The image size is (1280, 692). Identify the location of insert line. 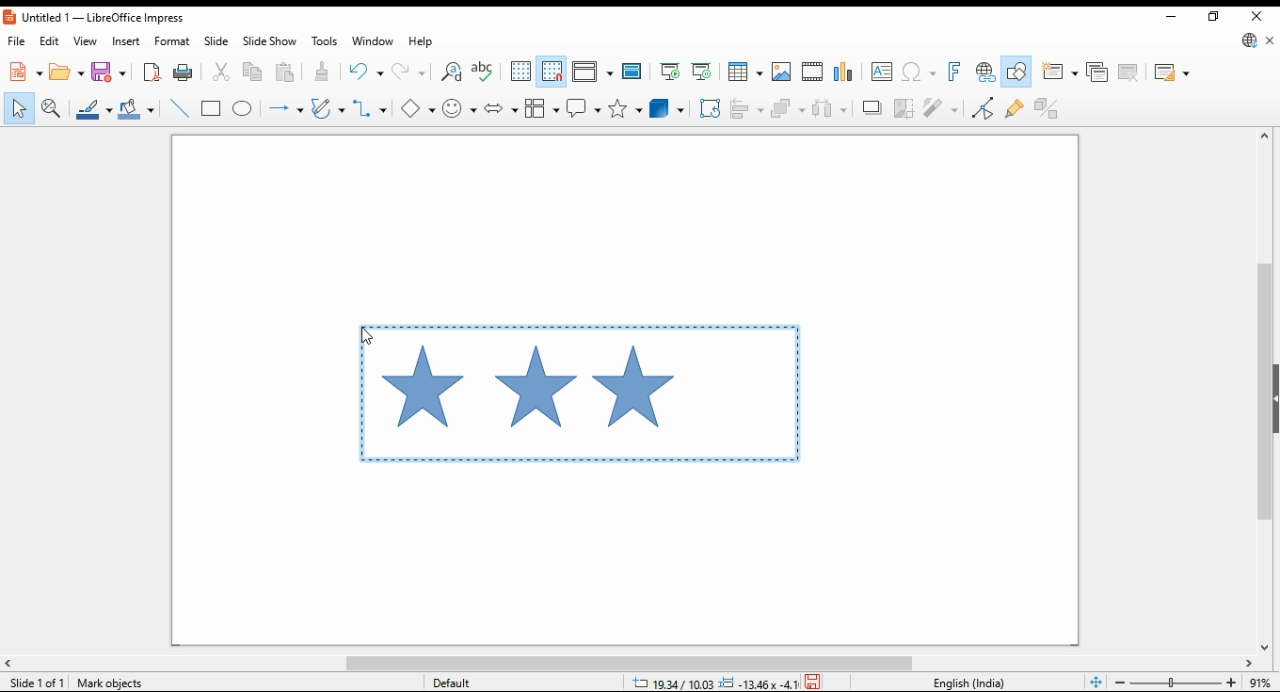
(179, 109).